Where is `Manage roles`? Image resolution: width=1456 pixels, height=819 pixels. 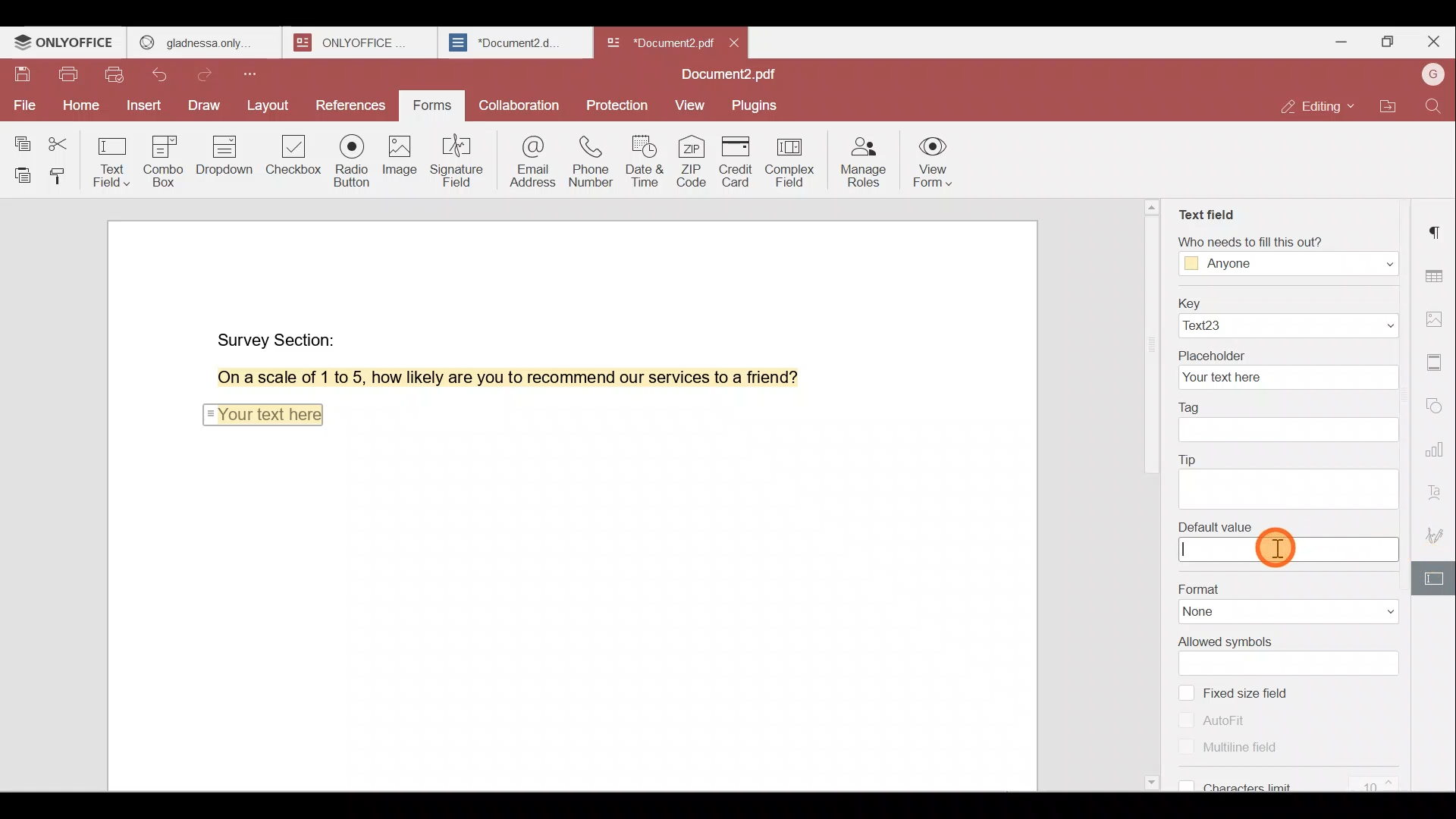 Manage roles is located at coordinates (862, 161).